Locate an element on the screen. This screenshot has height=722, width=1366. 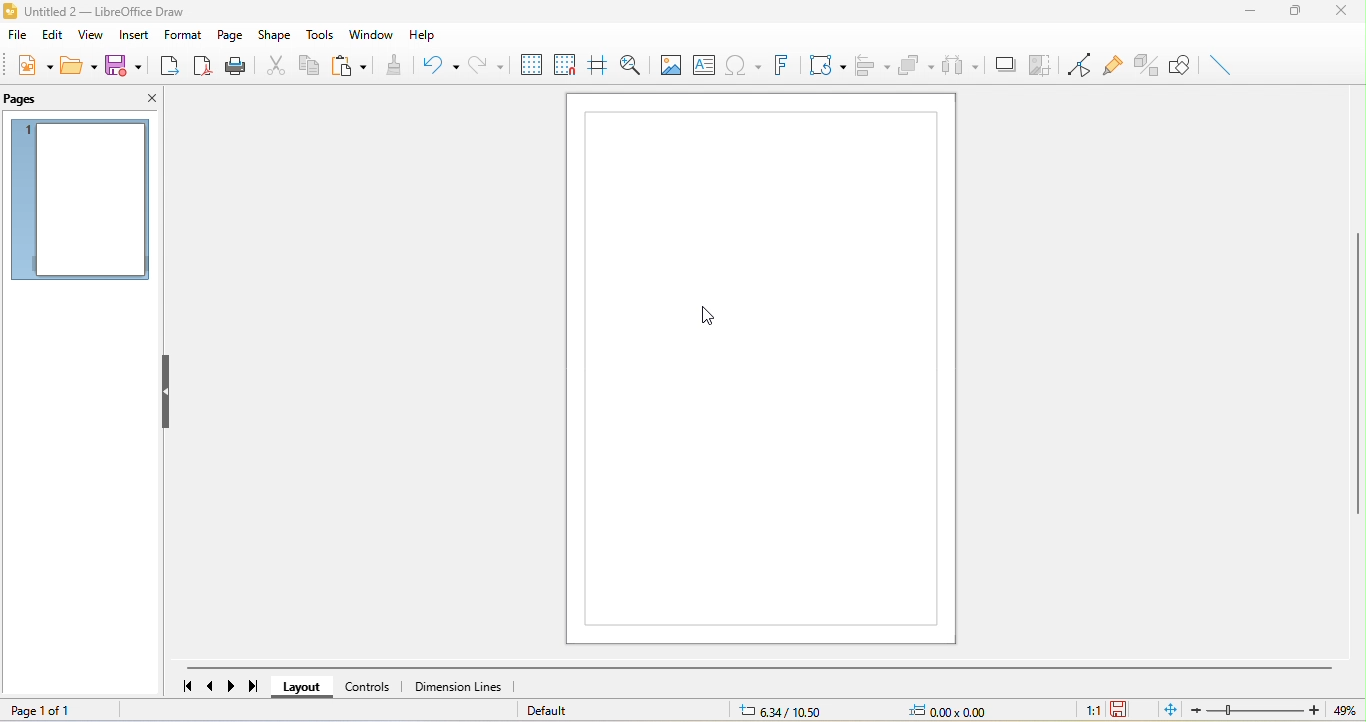
first page is located at coordinates (187, 687).